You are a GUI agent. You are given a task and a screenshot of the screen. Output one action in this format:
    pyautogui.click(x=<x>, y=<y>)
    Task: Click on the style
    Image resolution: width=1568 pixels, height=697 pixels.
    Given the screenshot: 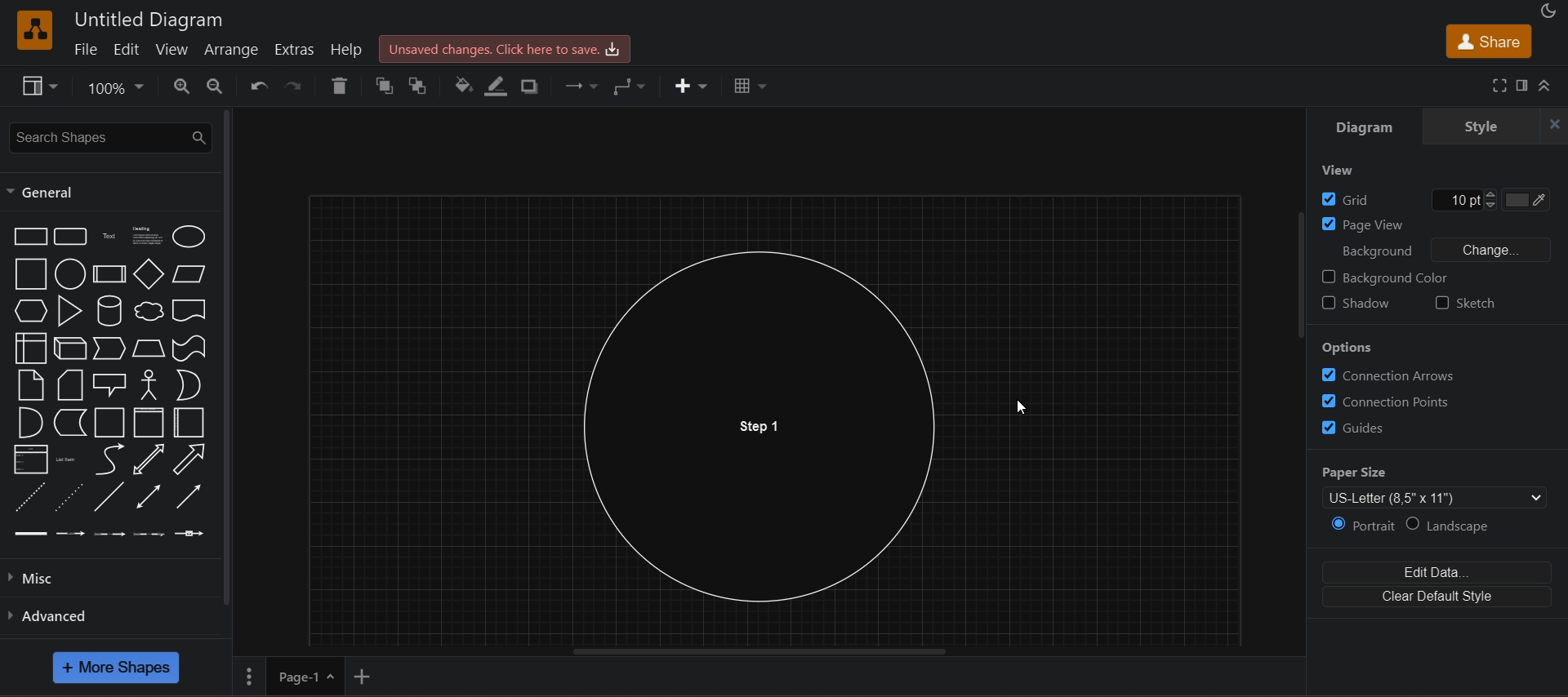 What is the action you would take?
    pyautogui.click(x=1476, y=125)
    